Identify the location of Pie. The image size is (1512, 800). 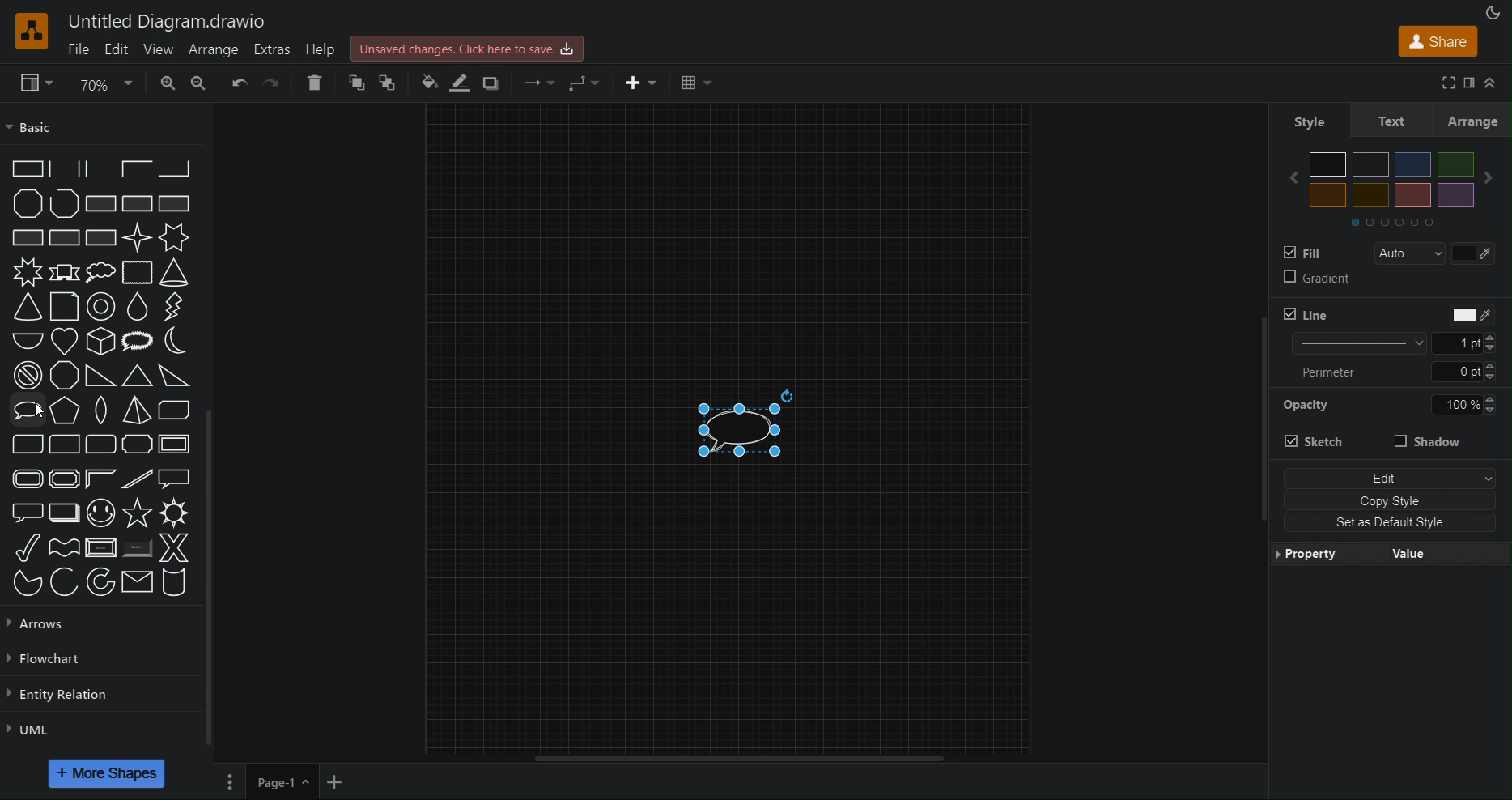
(27, 583).